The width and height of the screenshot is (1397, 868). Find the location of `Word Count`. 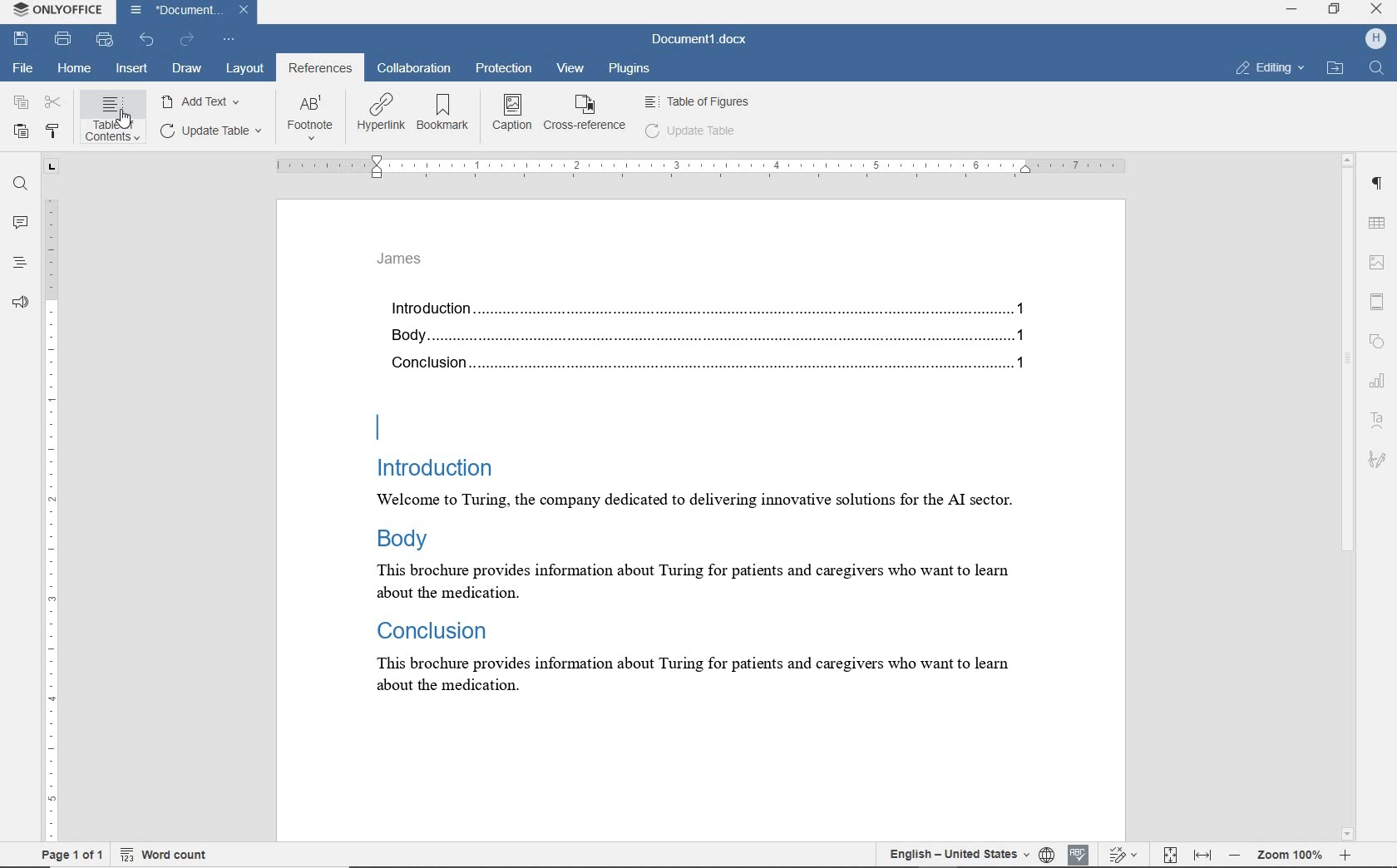

Word Count is located at coordinates (164, 856).